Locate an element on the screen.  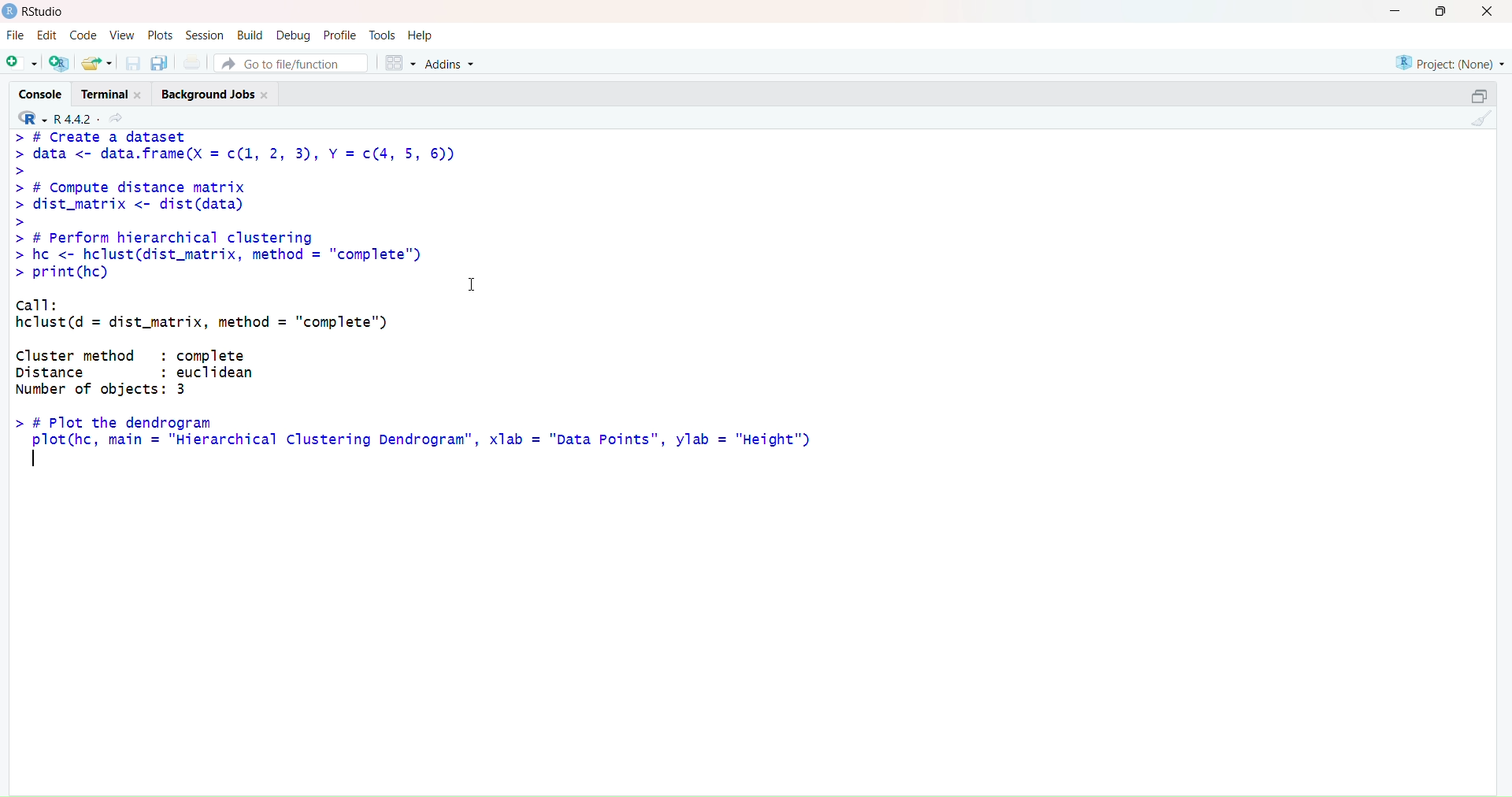
> # L(reatc a dataset

> data <- data.frame(X = c(1, 2, 3), Y =c(4, 5, 6))

>

> # Compute distance matrix

> dist_matrix <- dist(data)

>

> # Perform hierarchical clustering

> hc <- hclust(dist_matrix, method = "complete")

> print(hc) I

call:

hclust(d = dist_matrix, method = "complete")

Cluster method : complete

Distance : euclidean

Number of objects: 3

> # Plot the dendrogram
plot(hc, main = "Hierarchical Clustering Dendrogram”, xlab = "Data Points", ylab = "Height")
| is located at coordinates (426, 313).